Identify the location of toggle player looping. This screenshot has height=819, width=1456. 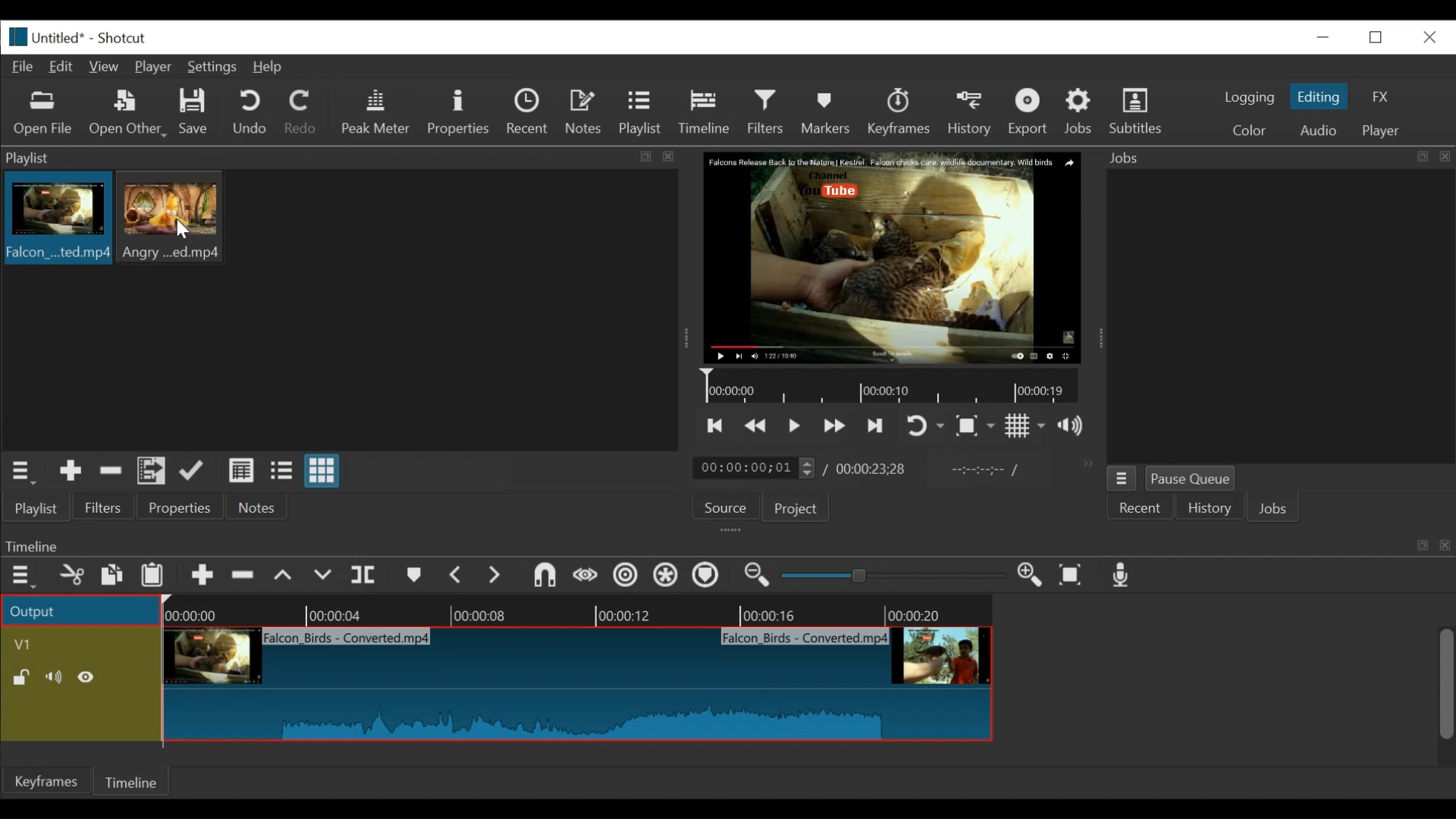
(925, 427).